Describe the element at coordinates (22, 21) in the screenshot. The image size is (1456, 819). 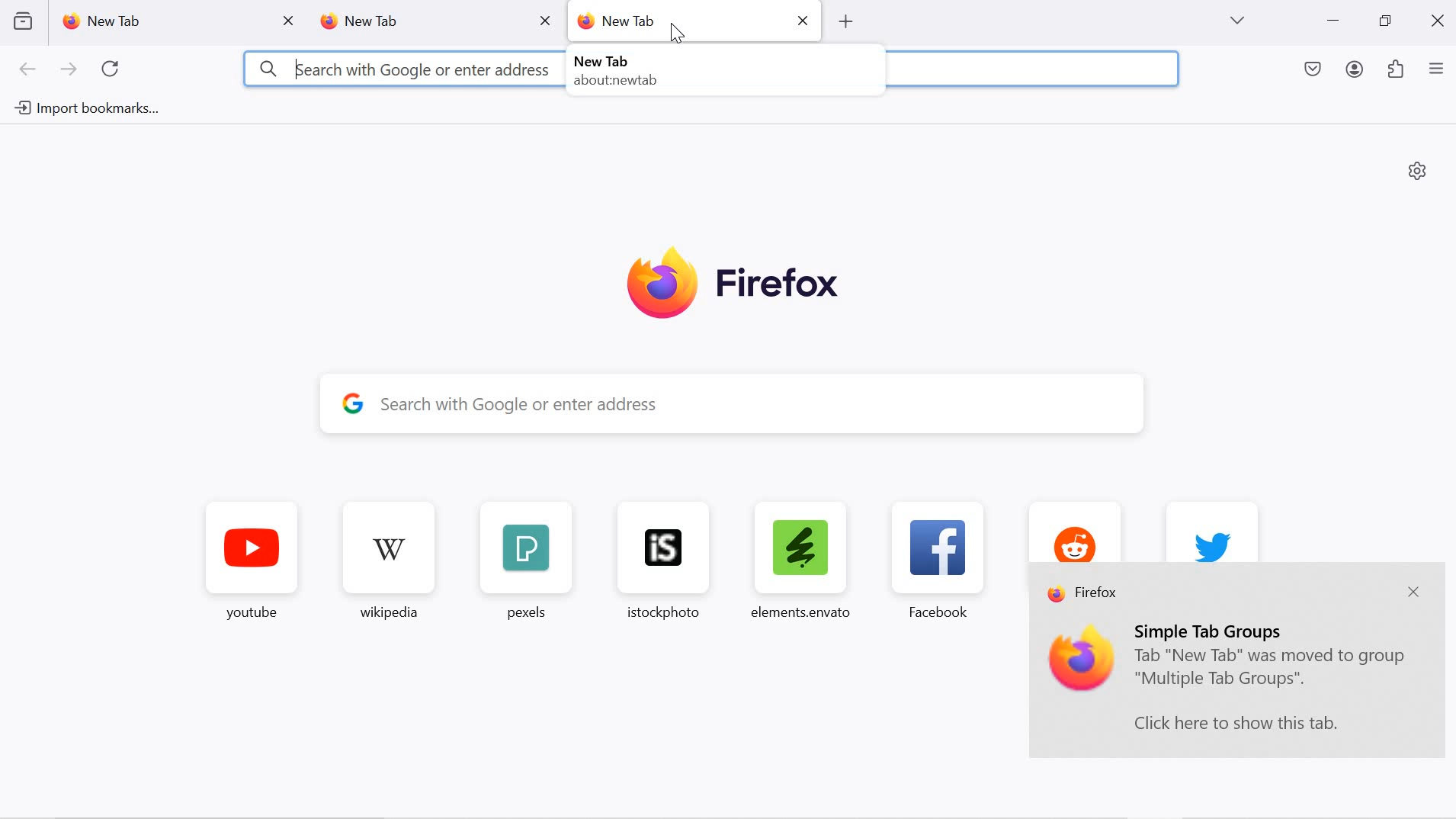
I see `view recent browsing across devices and windows` at that location.